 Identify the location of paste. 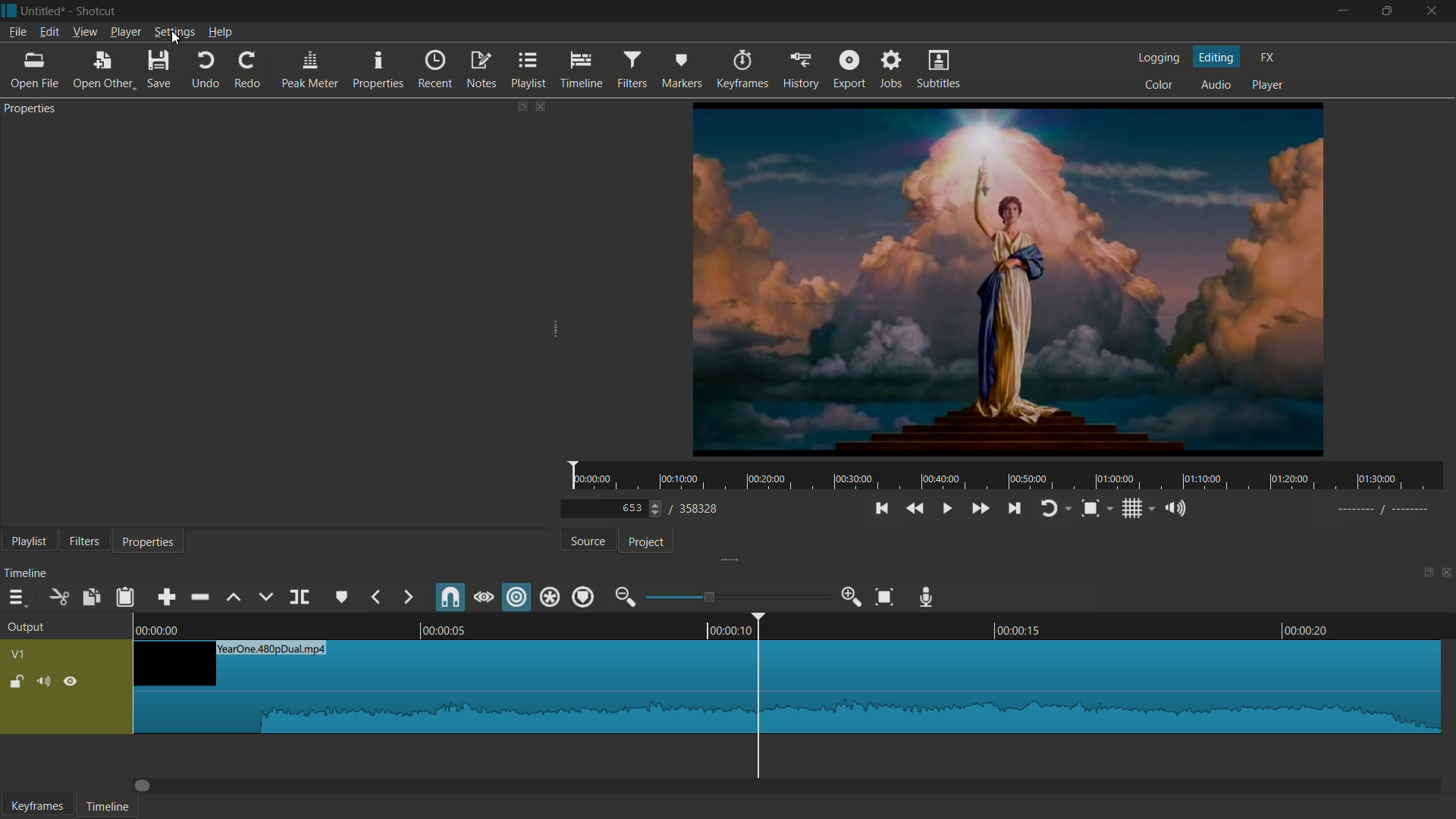
(127, 597).